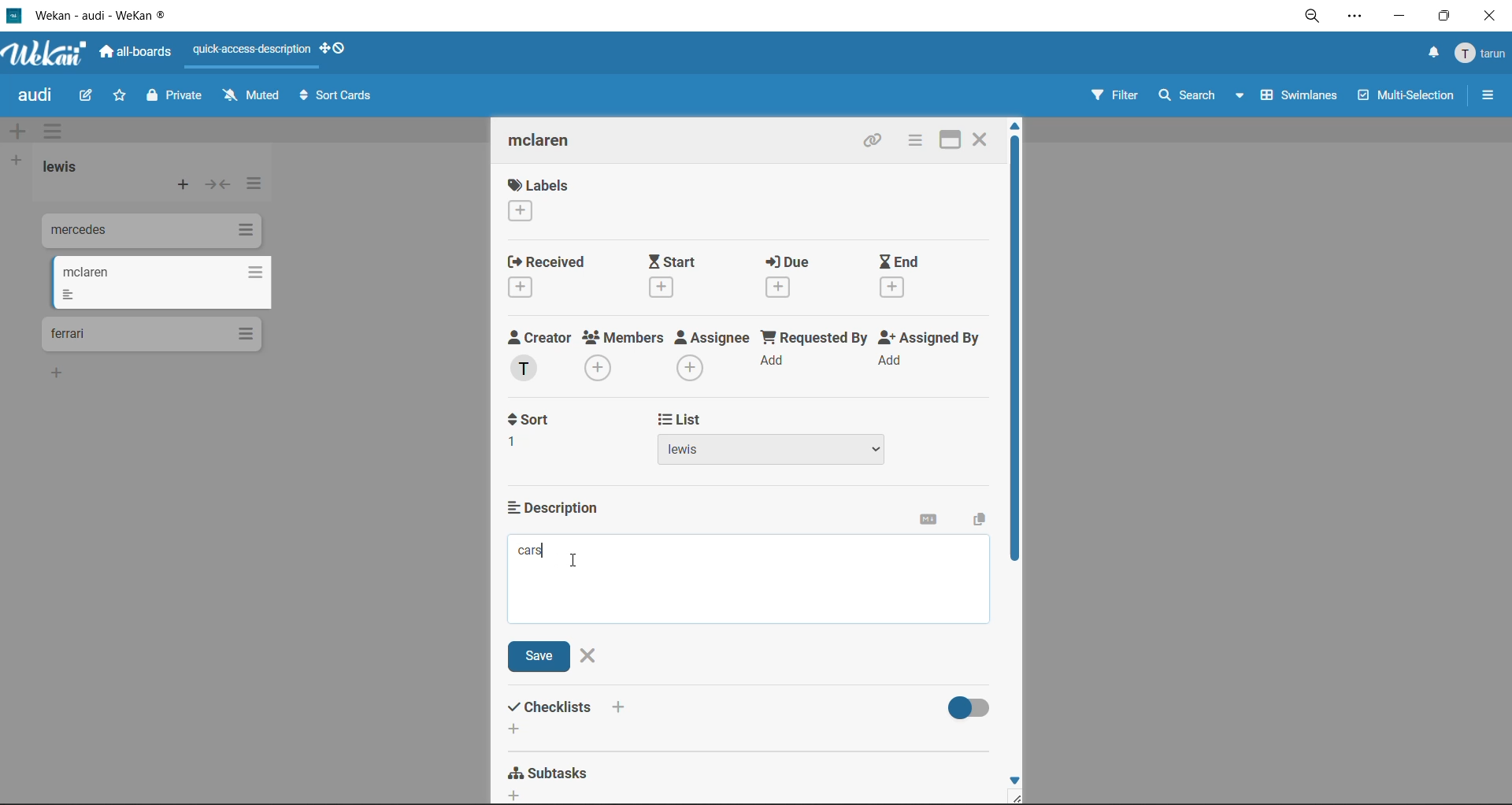 The image size is (1512, 805). Describe the element at coordinates (177, 98) in the screenshot. I see `private` at that location.